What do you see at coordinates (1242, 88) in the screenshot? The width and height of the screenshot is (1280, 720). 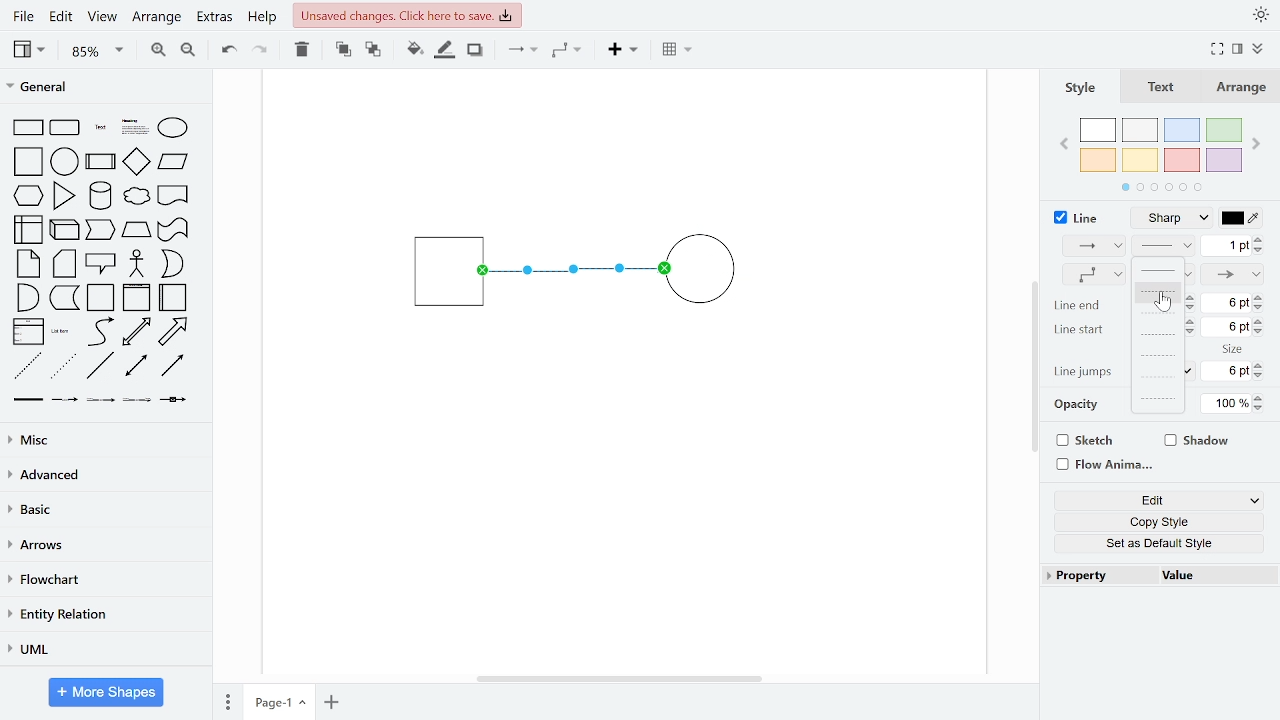 I see `arrange` at bounding box center [1242, 88].